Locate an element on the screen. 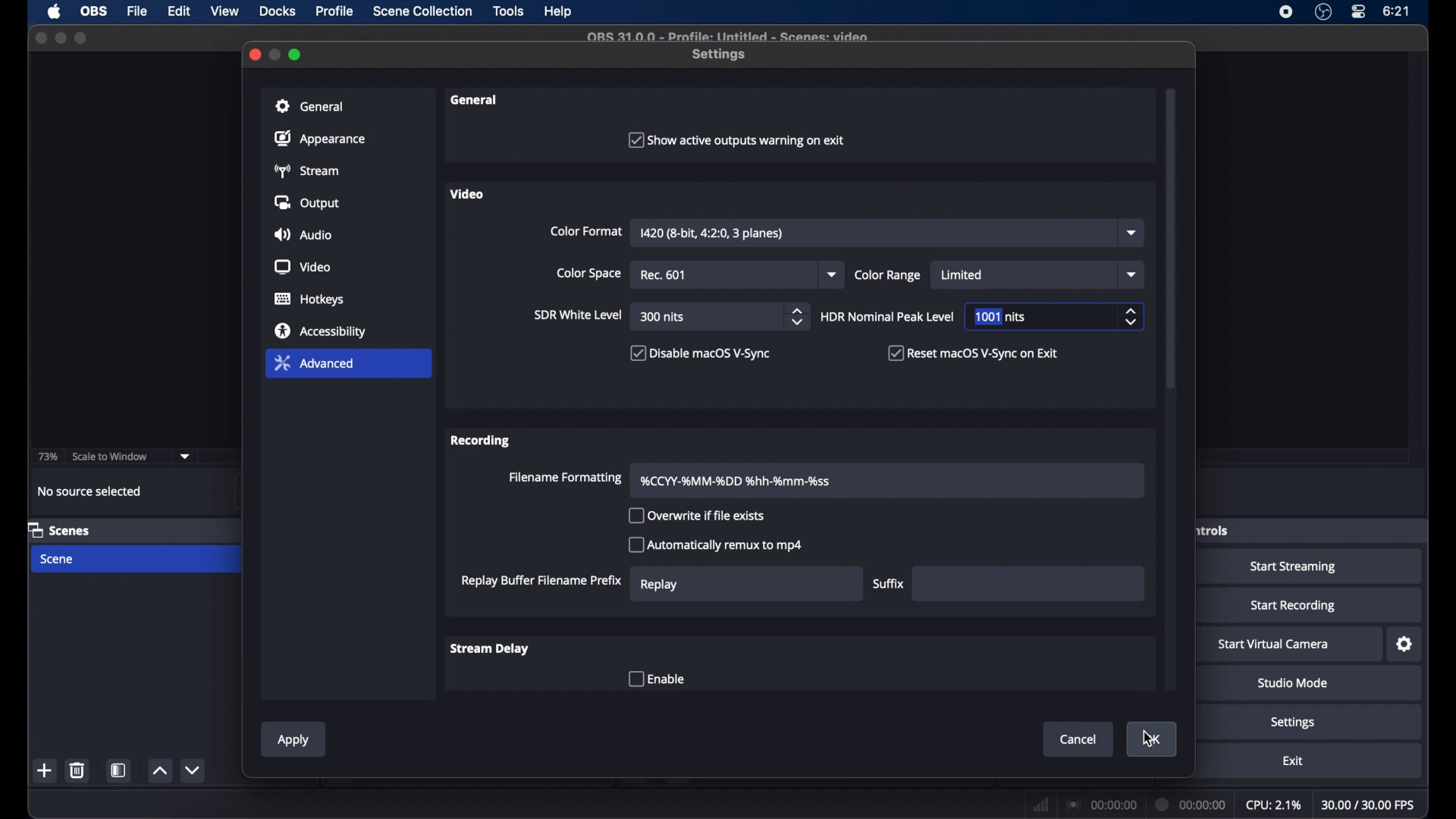 The width and height of the screenshot is (1456, 819). settings is located at coordinates (720, 55).